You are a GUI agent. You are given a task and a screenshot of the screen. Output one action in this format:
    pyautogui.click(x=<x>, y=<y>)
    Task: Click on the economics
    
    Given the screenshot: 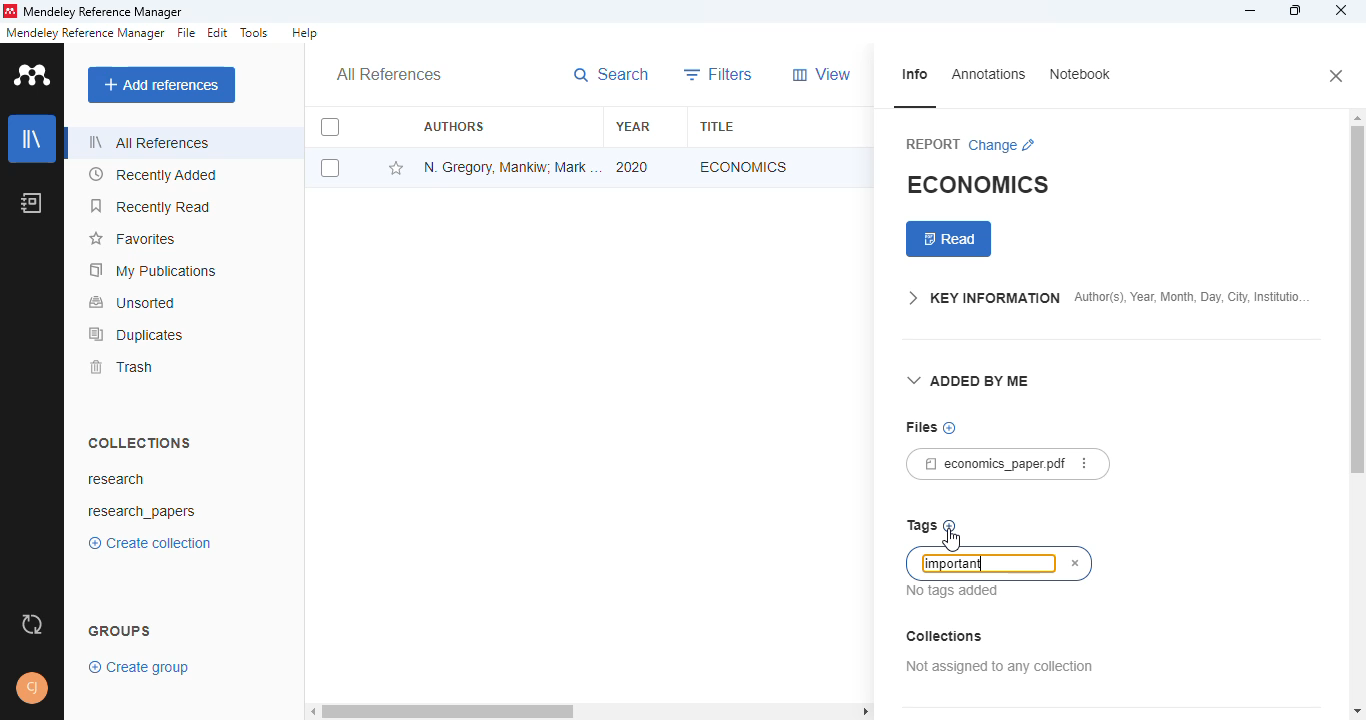 What is the action you would take?
    pyautogui.click(x=744, y=166)
    